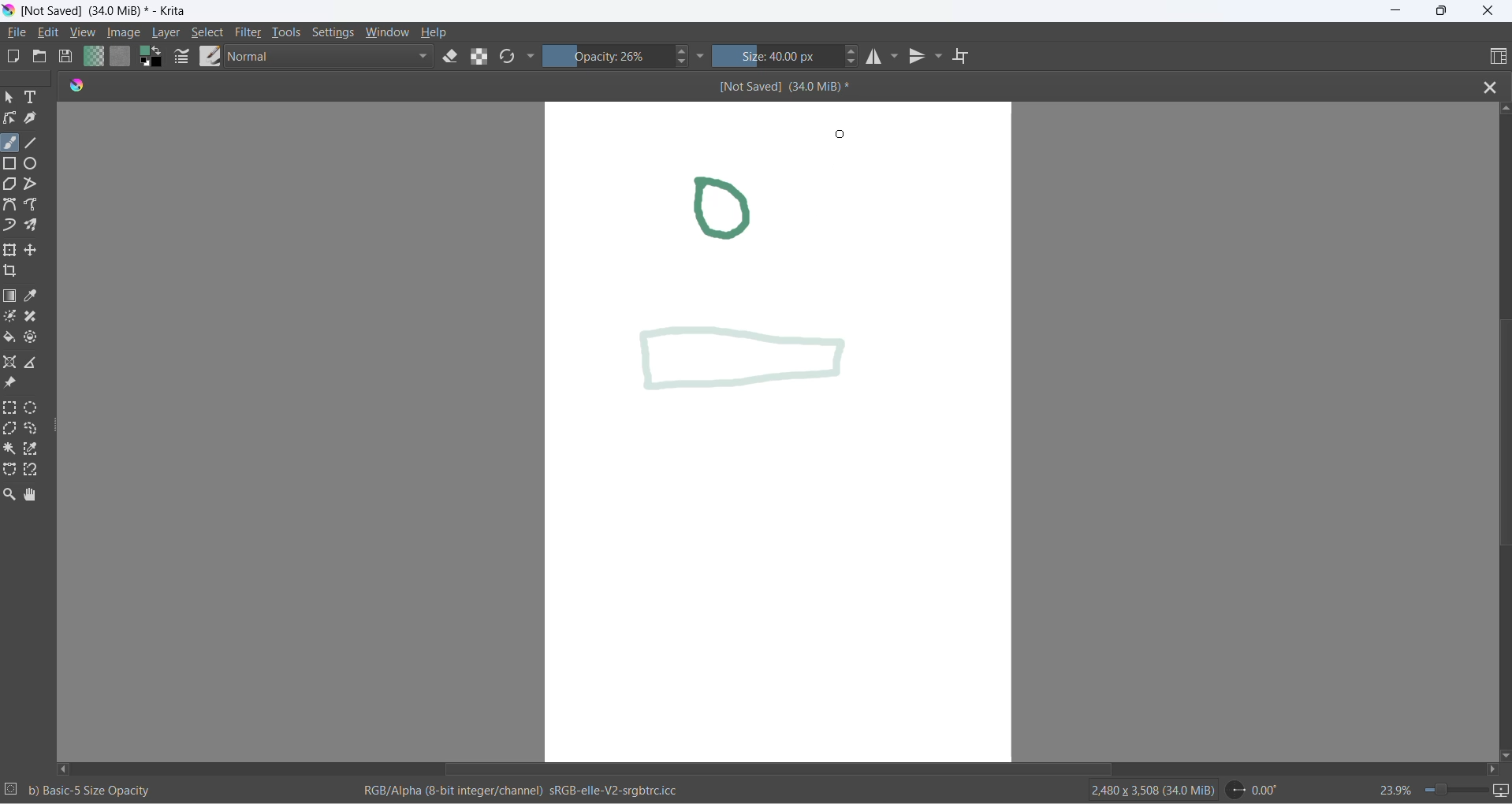  Describe the element at coordinates (685, 63) in the screenshot. I see `decrease opacity button` at that location.